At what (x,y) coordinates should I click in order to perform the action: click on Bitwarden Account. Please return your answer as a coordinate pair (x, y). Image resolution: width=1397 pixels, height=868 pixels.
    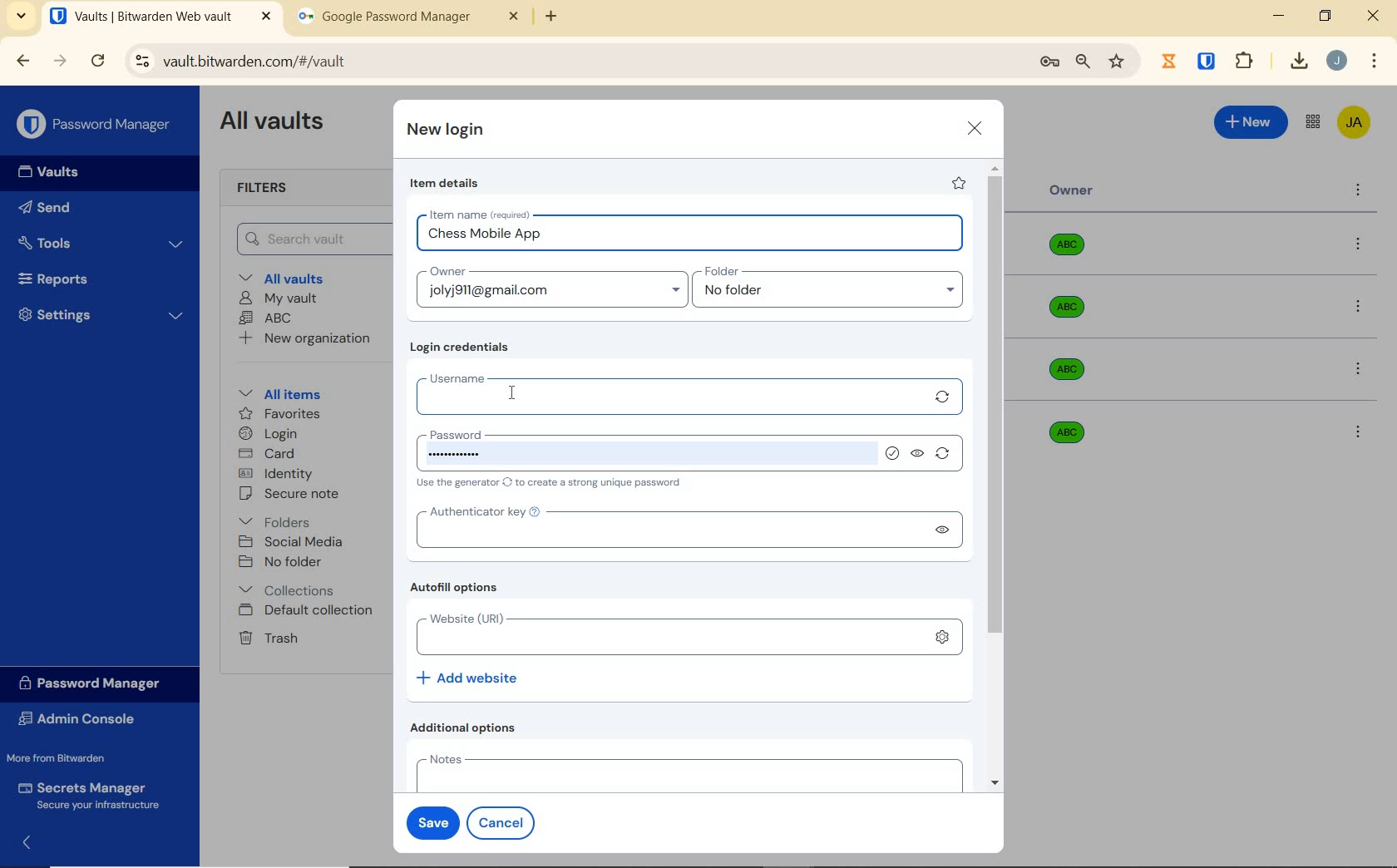
    Looking at the image, I should click on (1354, 124).